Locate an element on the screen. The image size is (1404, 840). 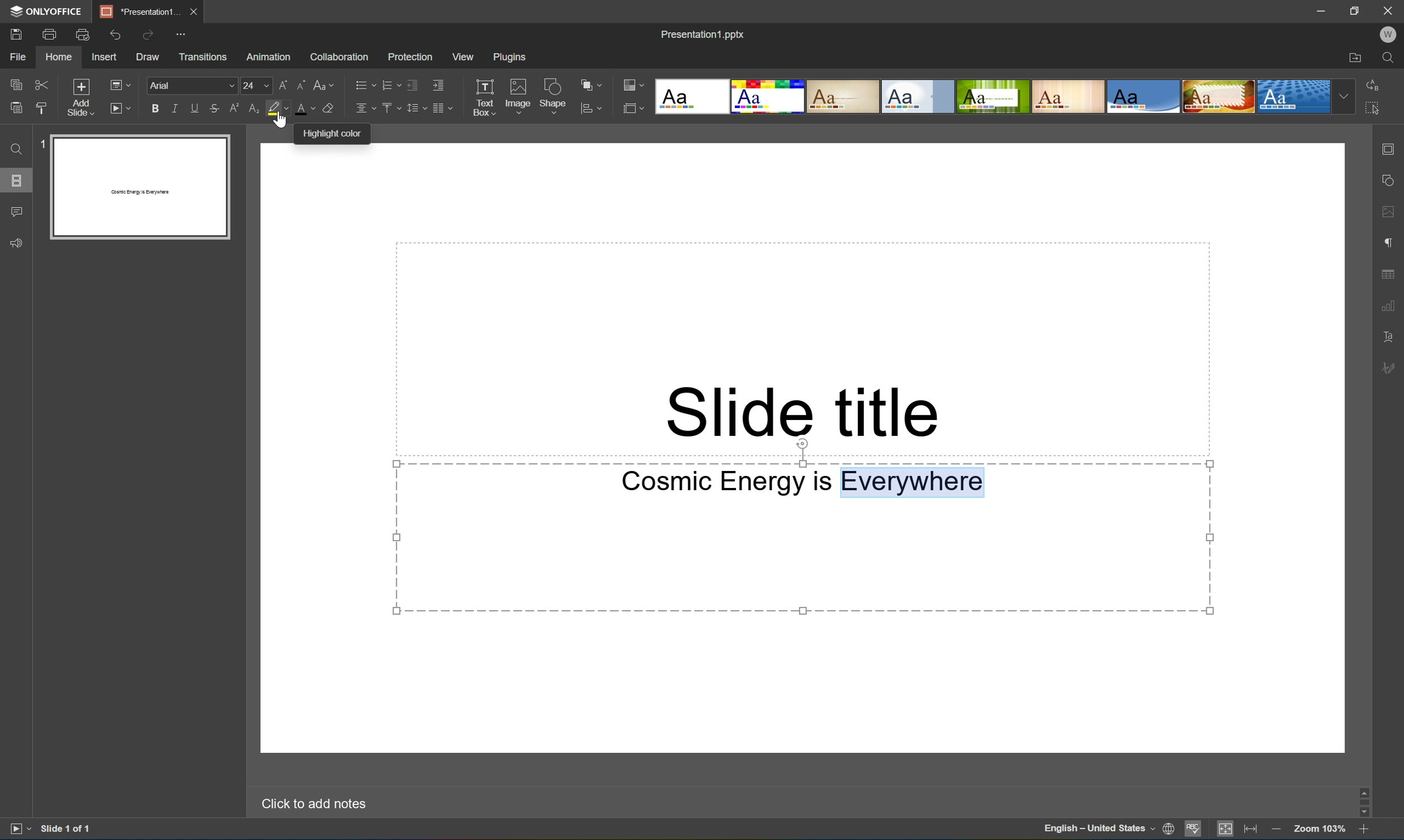
Print is located at coordinates (51, 35).